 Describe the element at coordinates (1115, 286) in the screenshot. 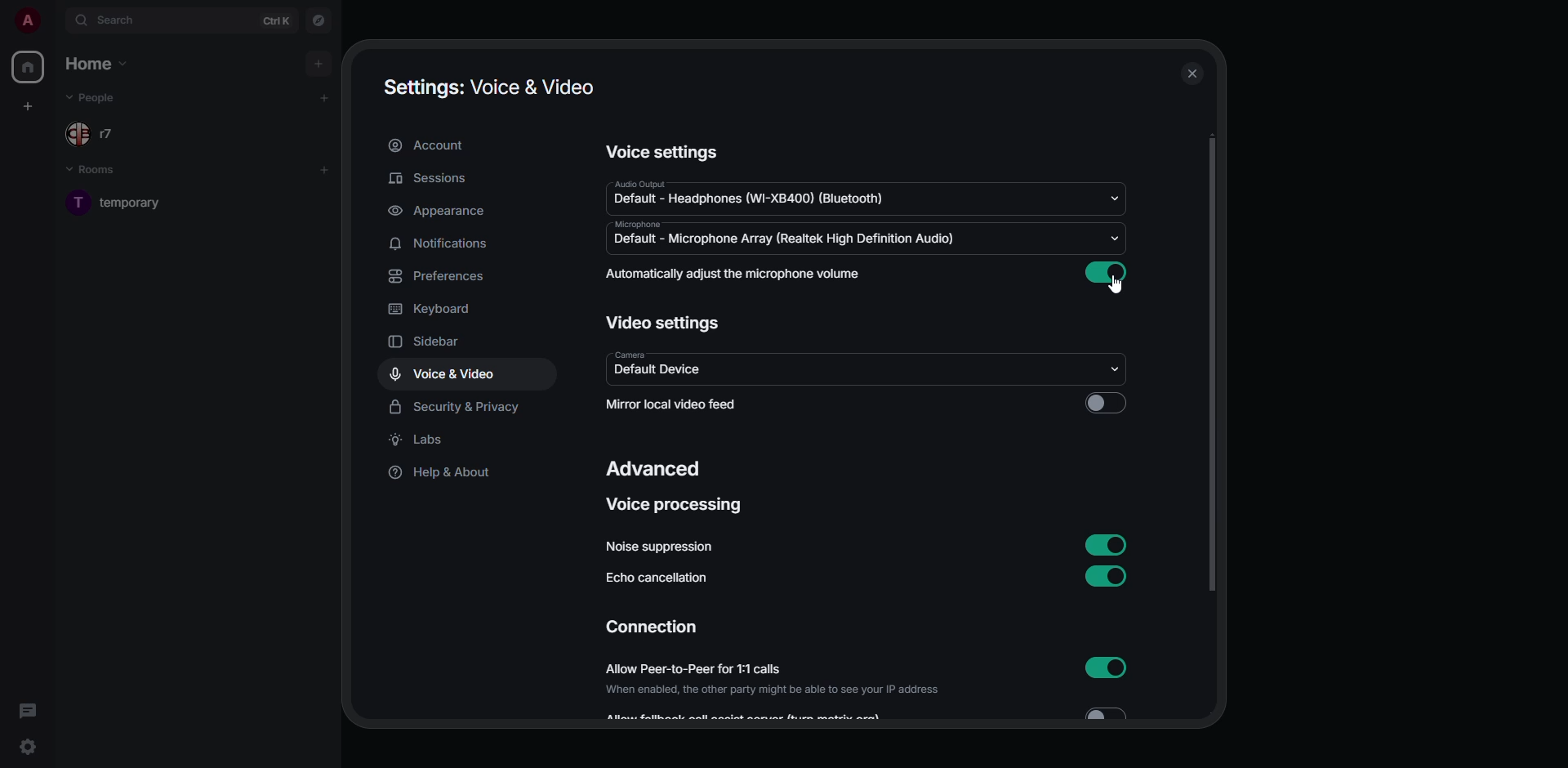

I see `cursor` at that location.